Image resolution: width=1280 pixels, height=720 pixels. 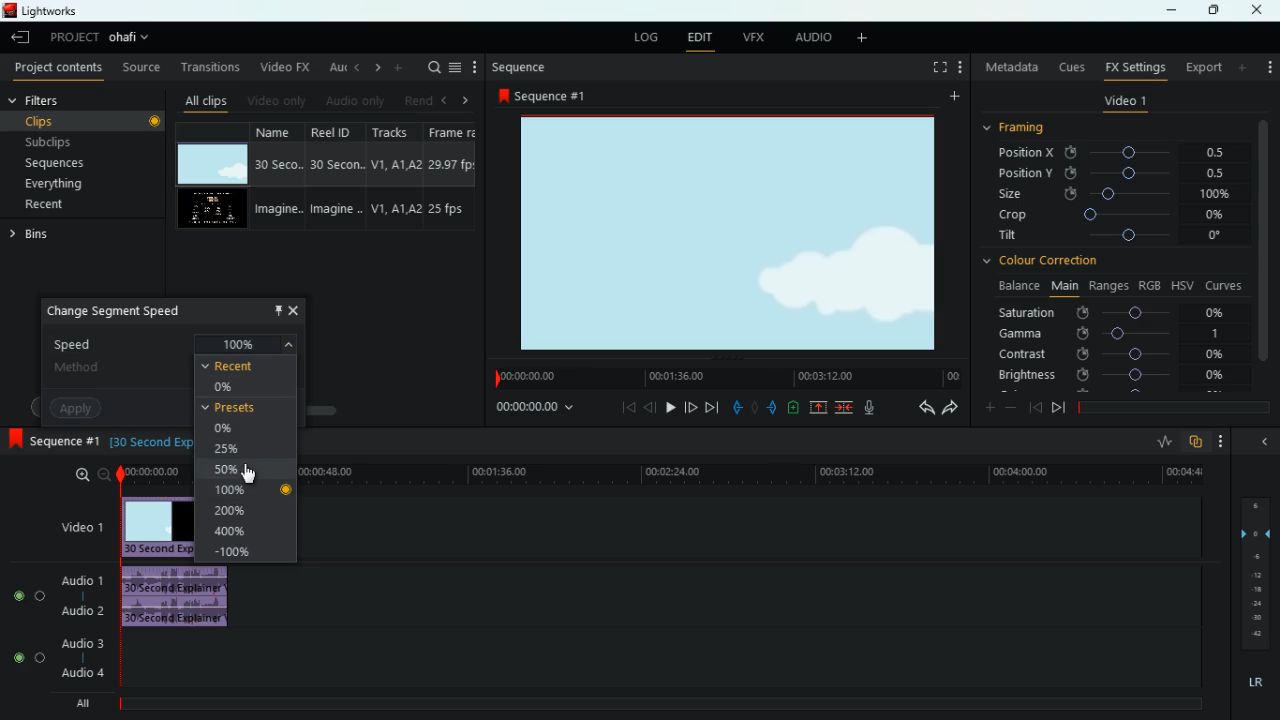 I want to click on minus, so click(x=1011, y=407).